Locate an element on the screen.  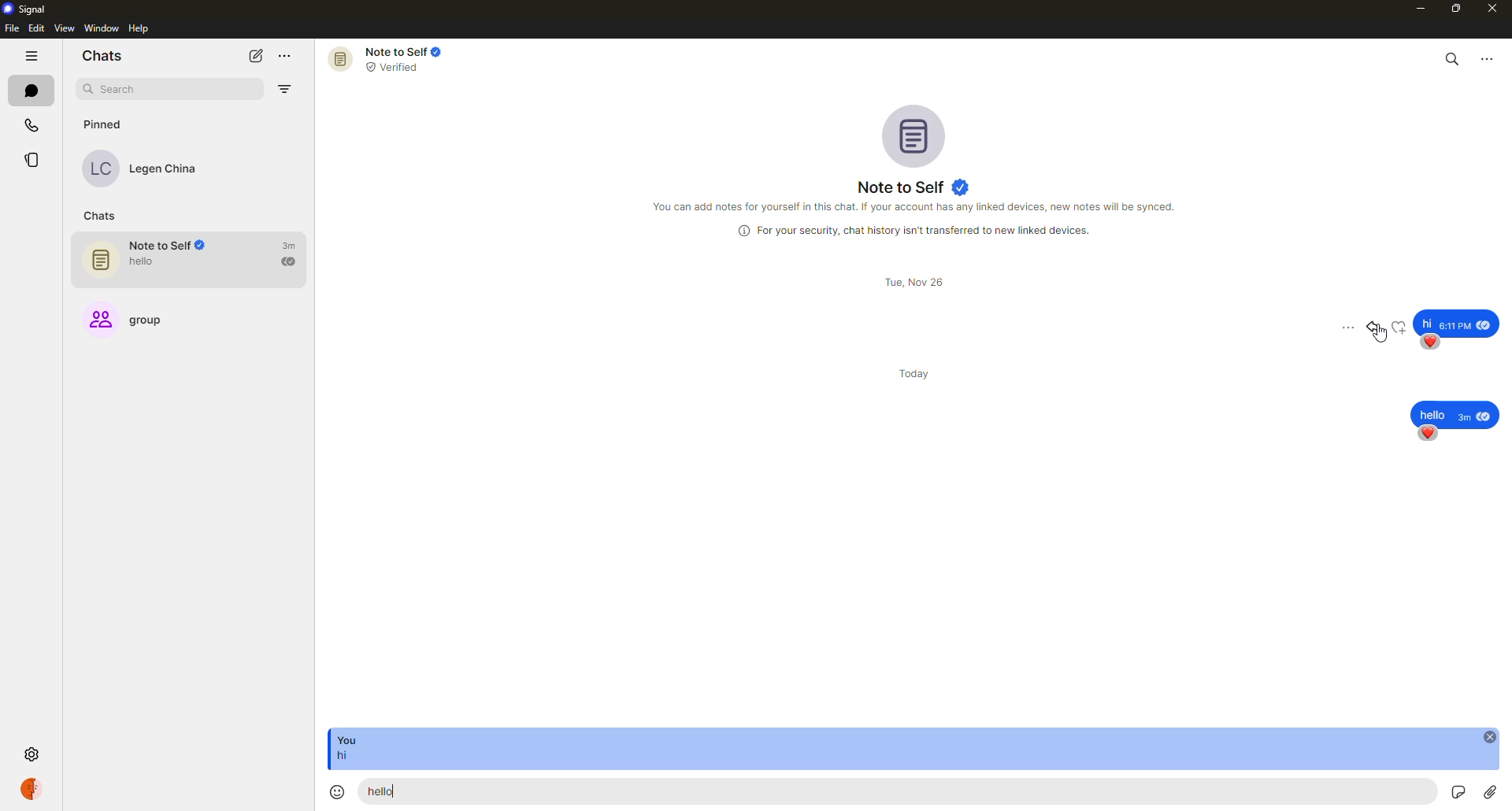
day is located at coordinates (920, 372).